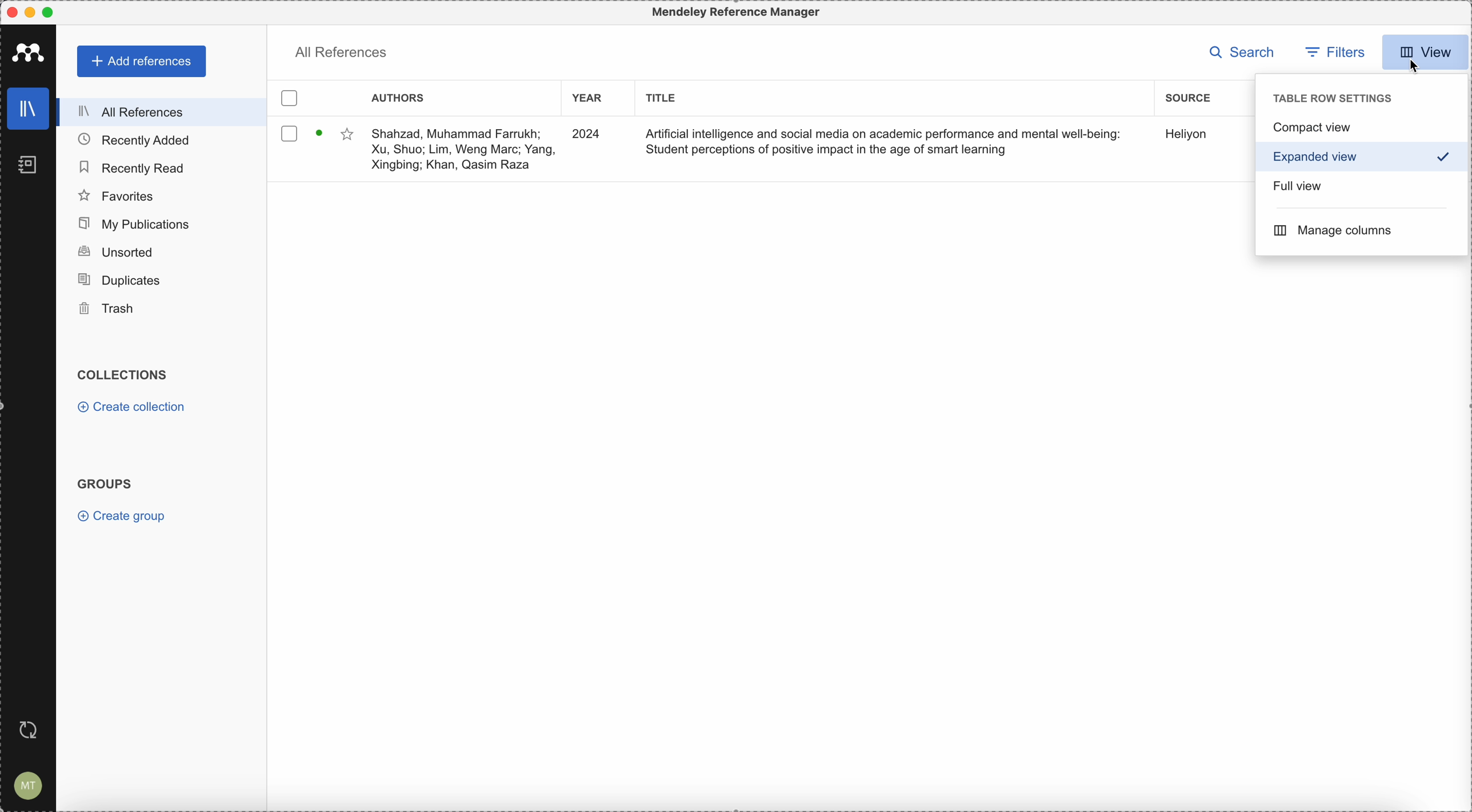 The image size is (1472, 812). Describe the element at coordinates (33, 731) in the screenshot. I see `last sync` at that location.